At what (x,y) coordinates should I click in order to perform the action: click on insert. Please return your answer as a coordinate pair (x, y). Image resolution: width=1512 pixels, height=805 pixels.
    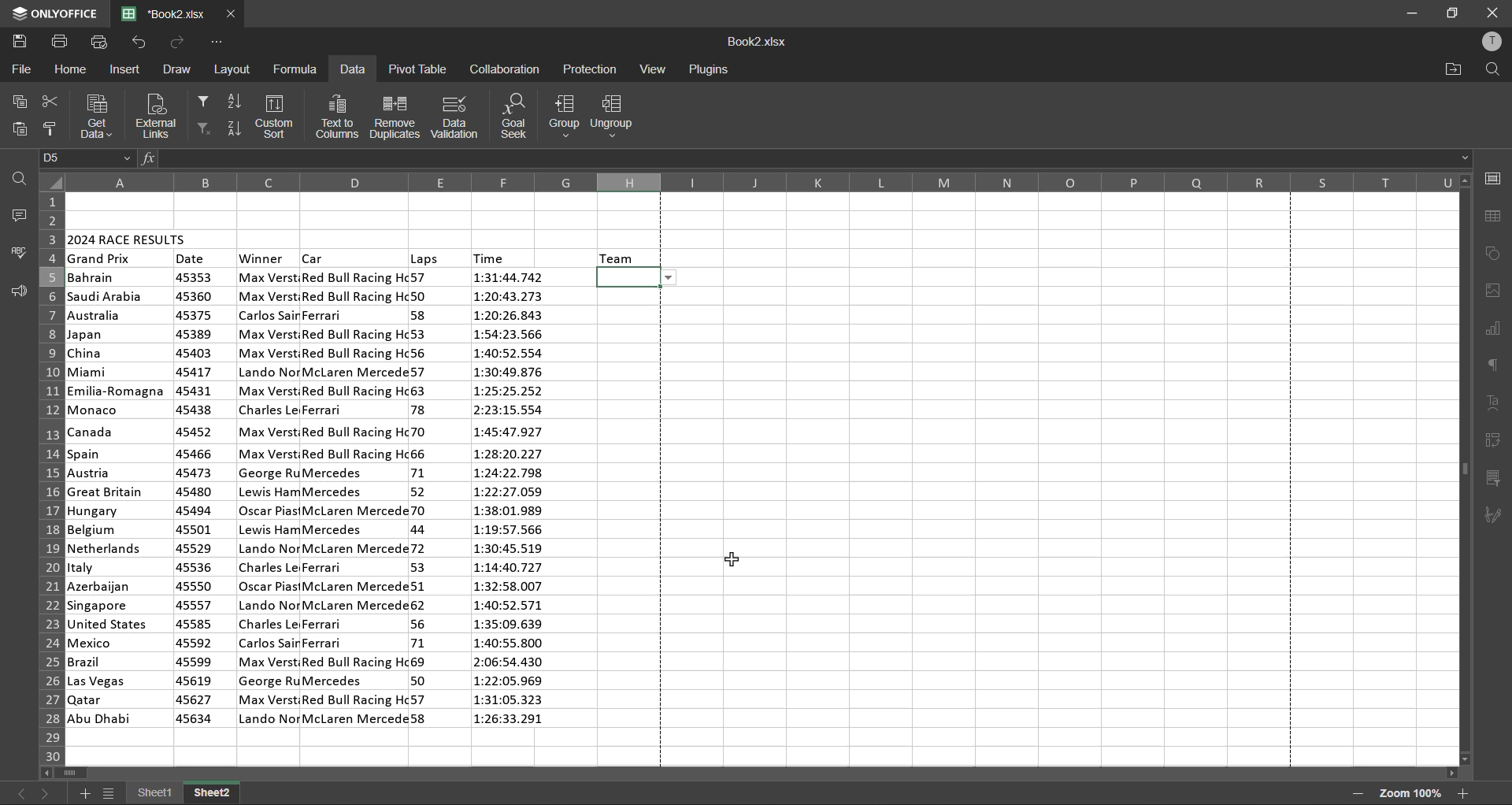
    Looking at the image, I should click on (128, 69).